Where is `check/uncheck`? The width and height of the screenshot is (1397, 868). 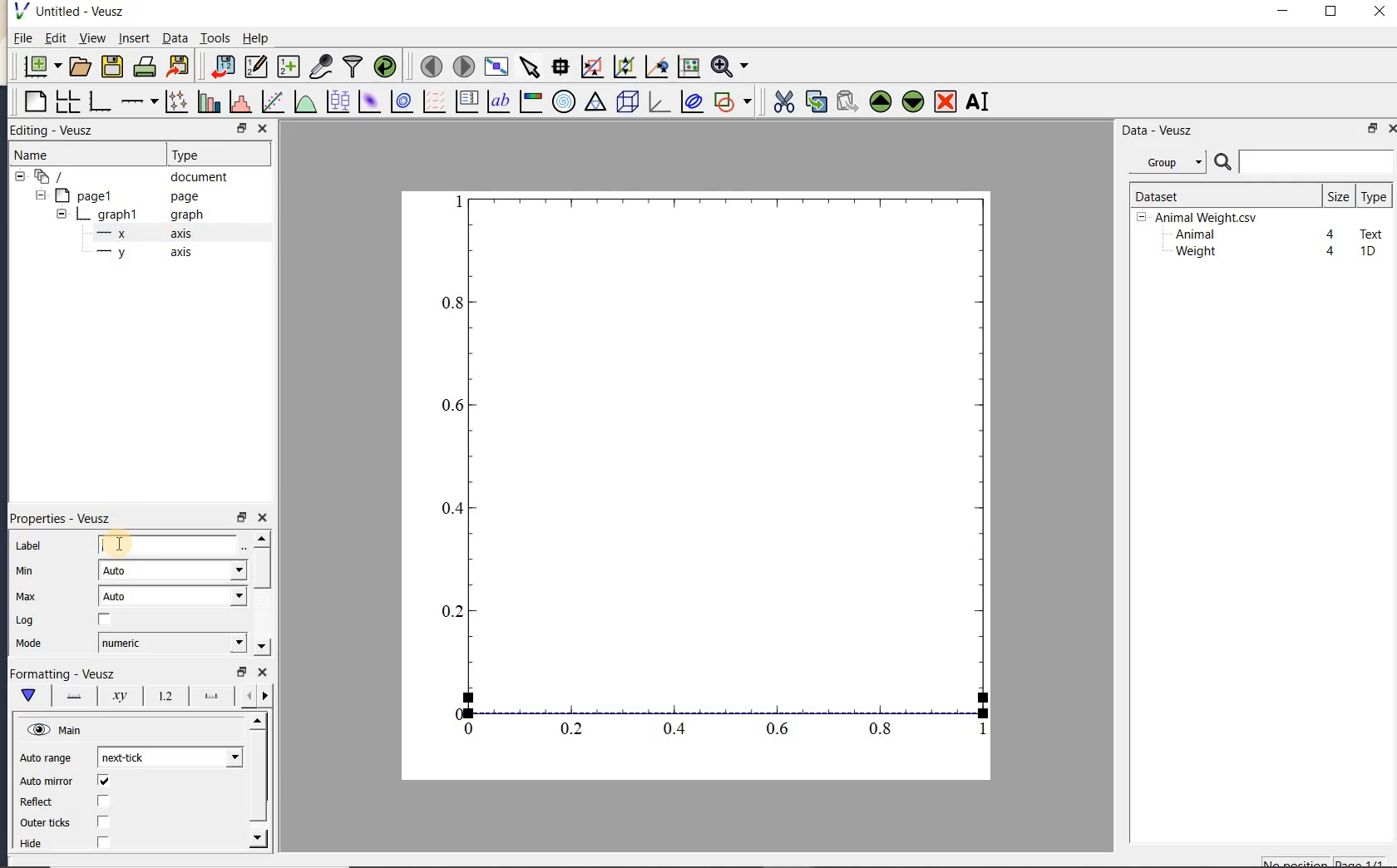
check/uncheck is located at coordinates (104, 821).